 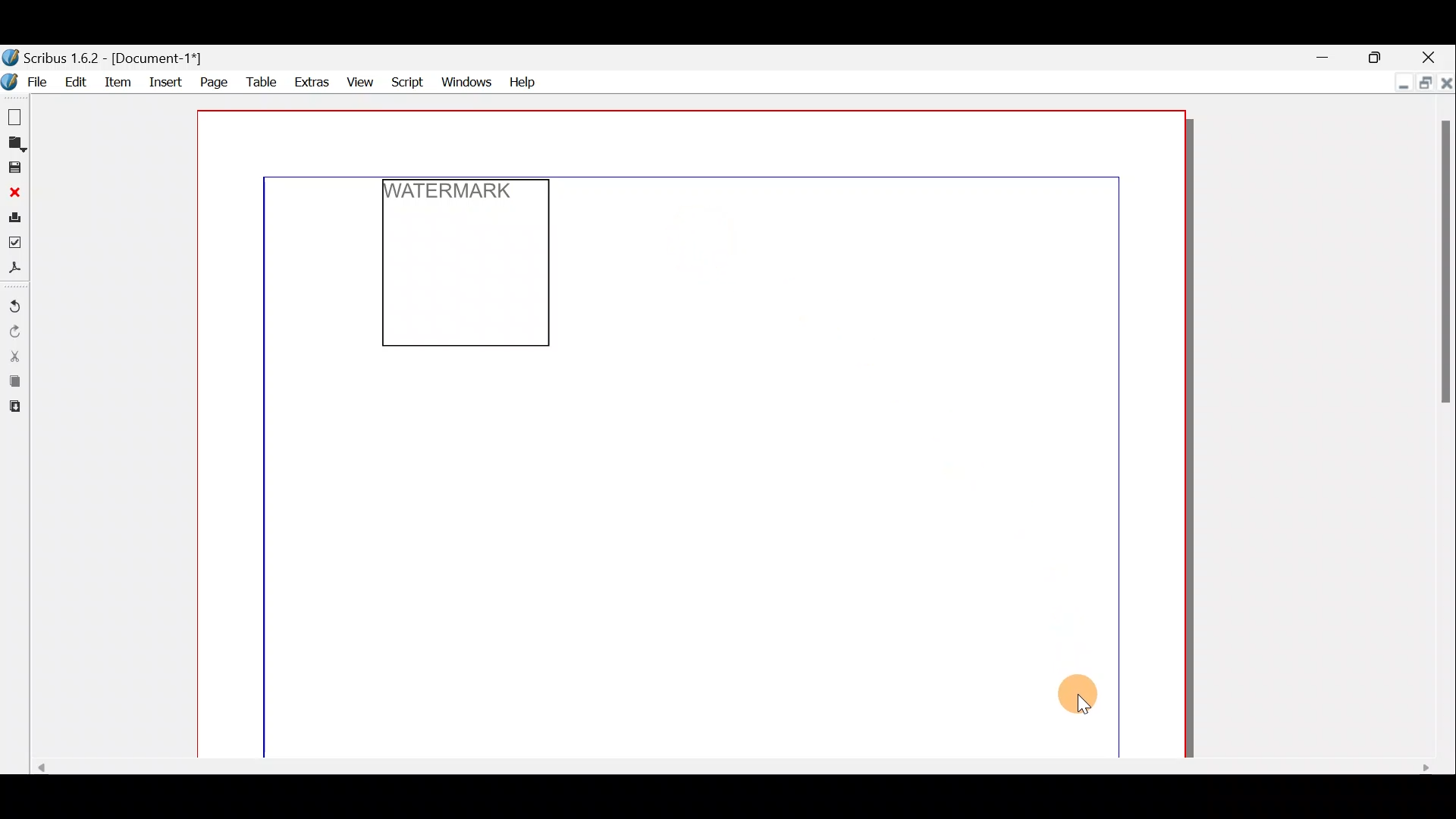 What do you see at coordinates (105, 58) in the screenshot?
I see `Document name` at bounding box center [105, 58].